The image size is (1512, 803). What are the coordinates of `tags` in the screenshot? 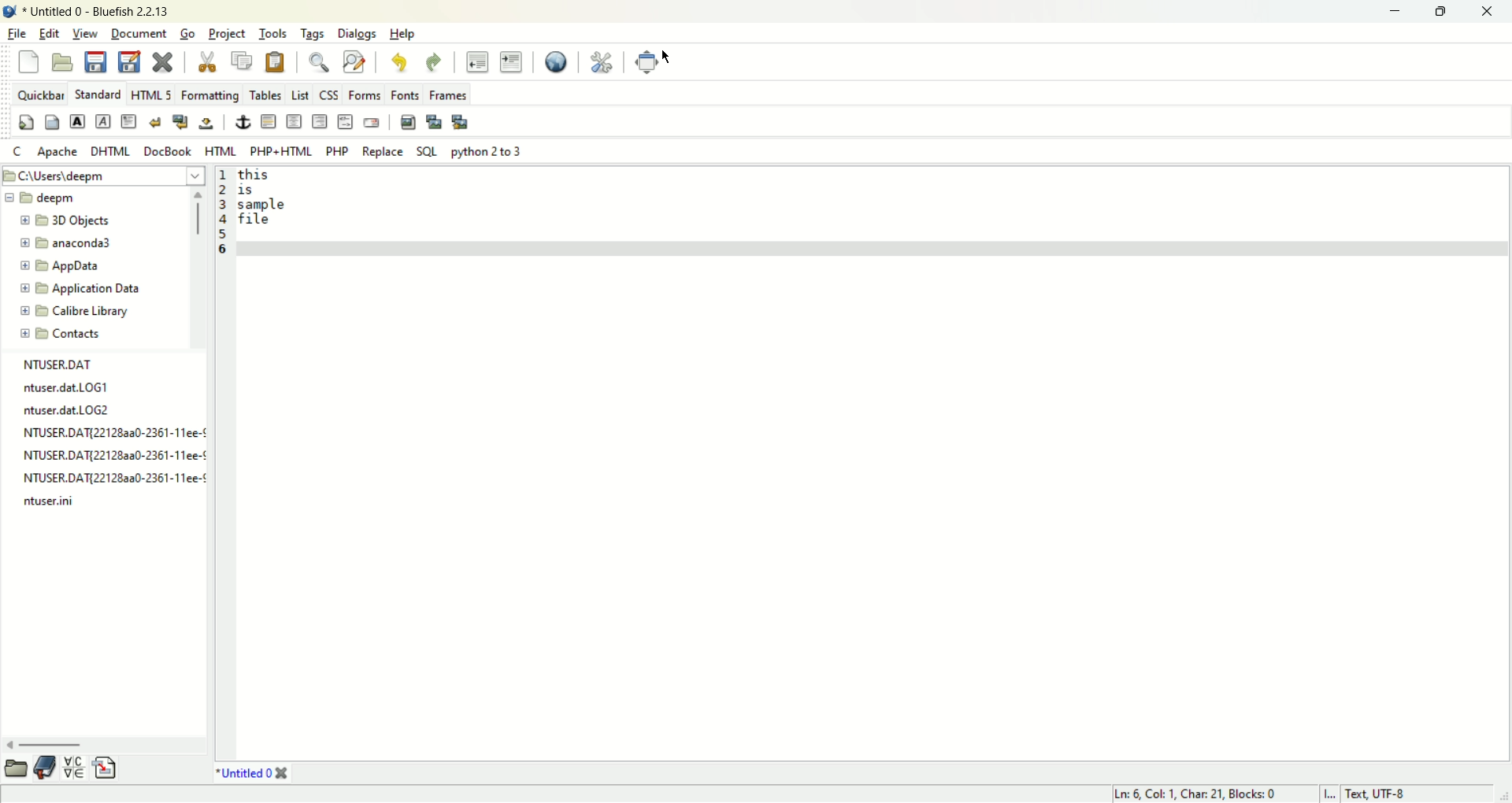 It's located at (317, 31).